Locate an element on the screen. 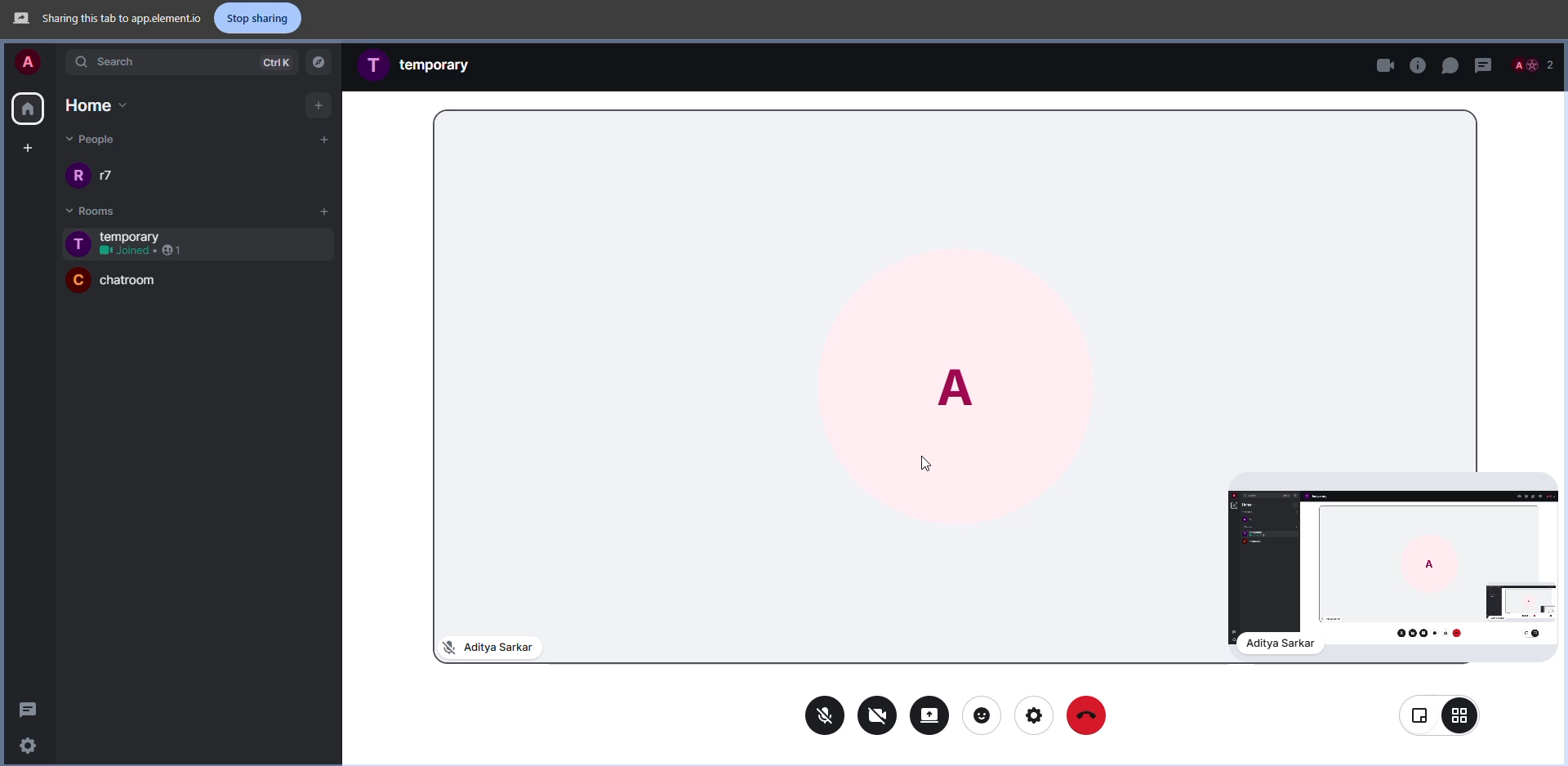 The height and width of the screenshot is (766, 1568). screen sharing is located at coordinates (1396, 568).